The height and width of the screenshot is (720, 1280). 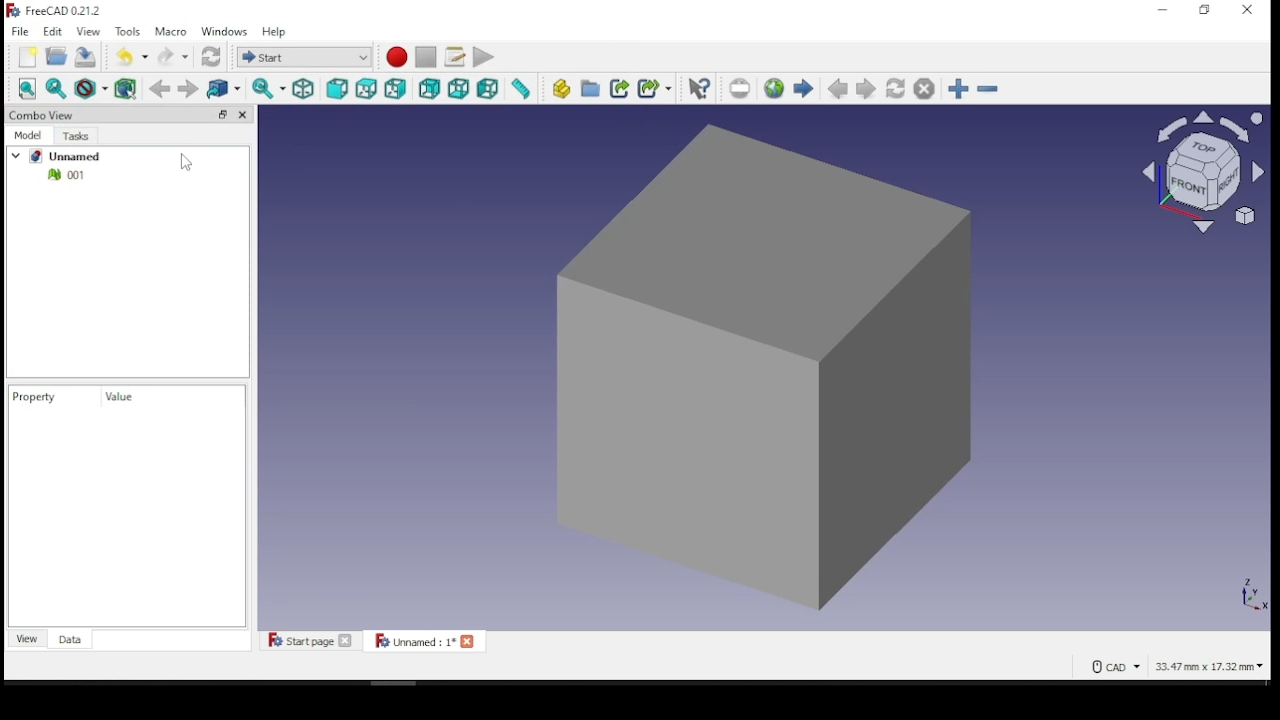 I want to click on start page, so click(x=803, y=88).